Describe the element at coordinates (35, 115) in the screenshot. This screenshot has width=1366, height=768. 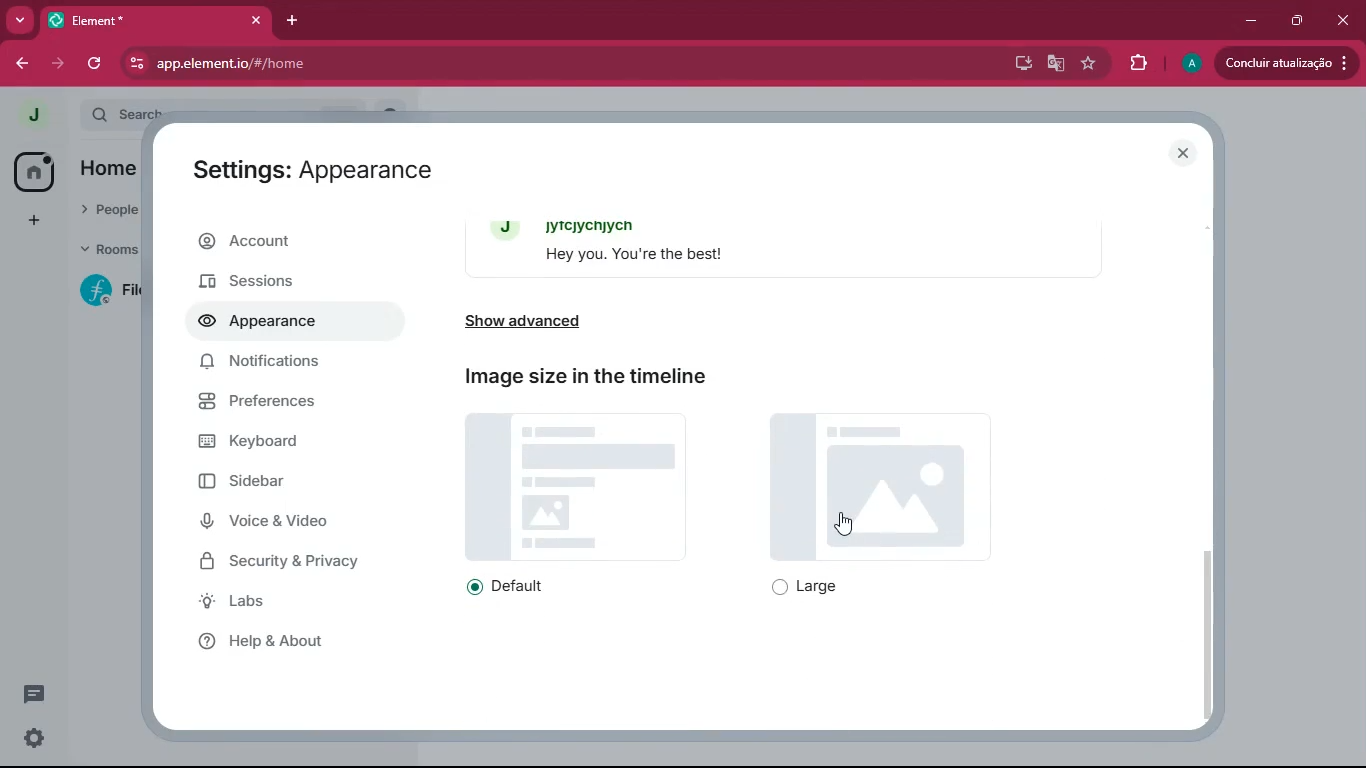
I see `profile` at that location.